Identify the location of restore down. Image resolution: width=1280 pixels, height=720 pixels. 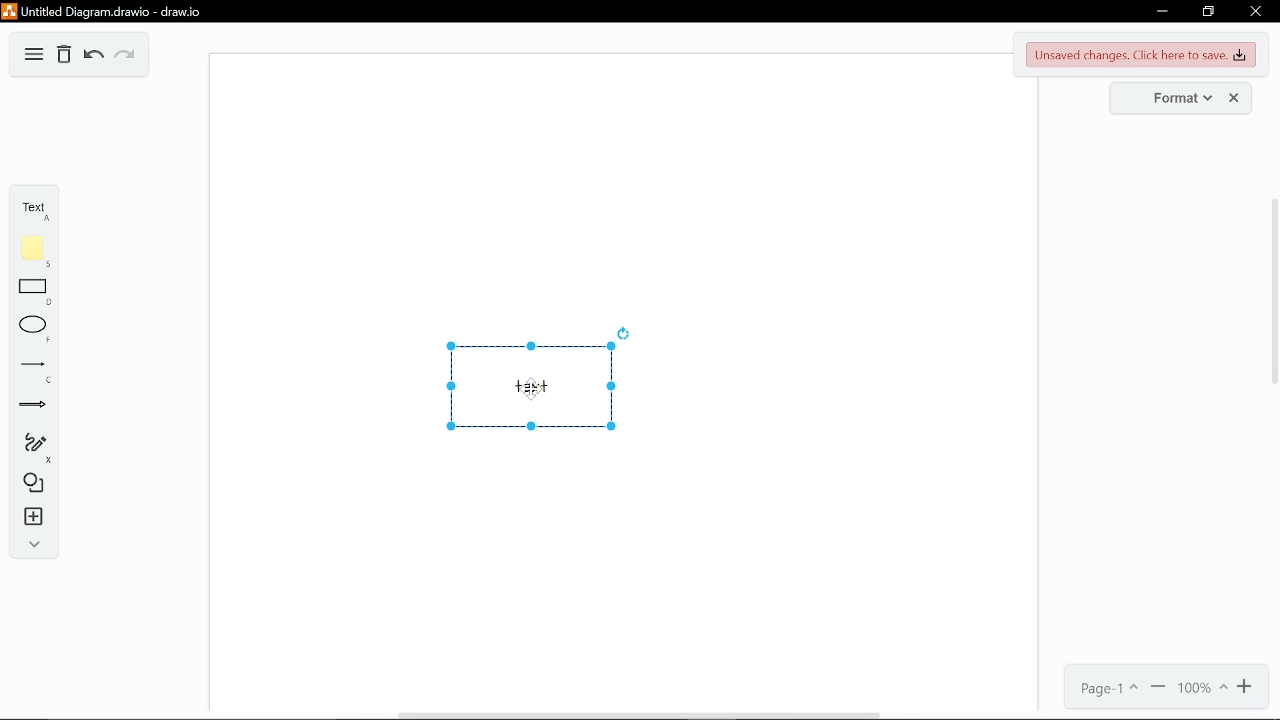
(1210, 12).